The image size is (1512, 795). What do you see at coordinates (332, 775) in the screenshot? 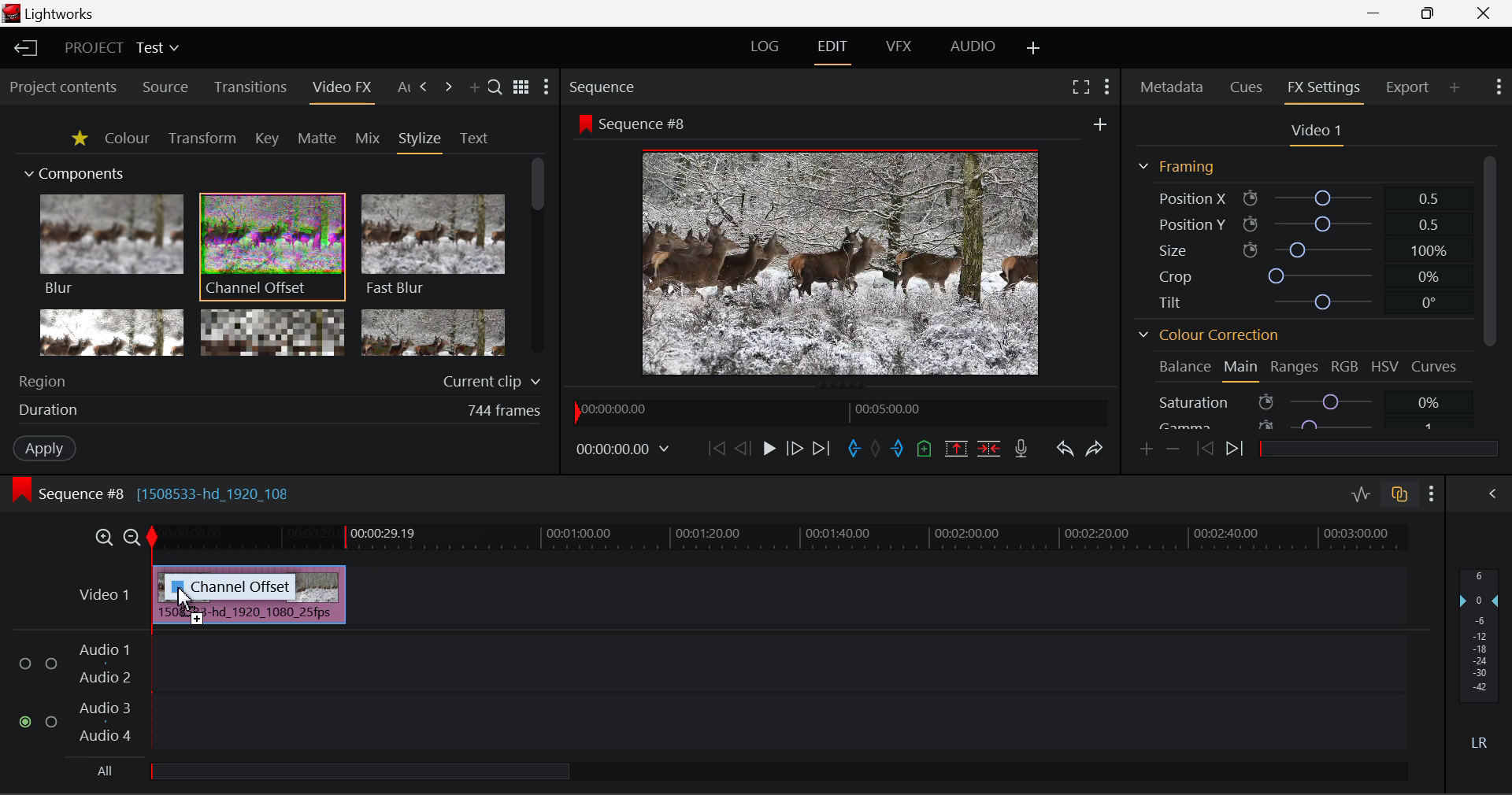
I see `all` at bounding box center [332, 775].